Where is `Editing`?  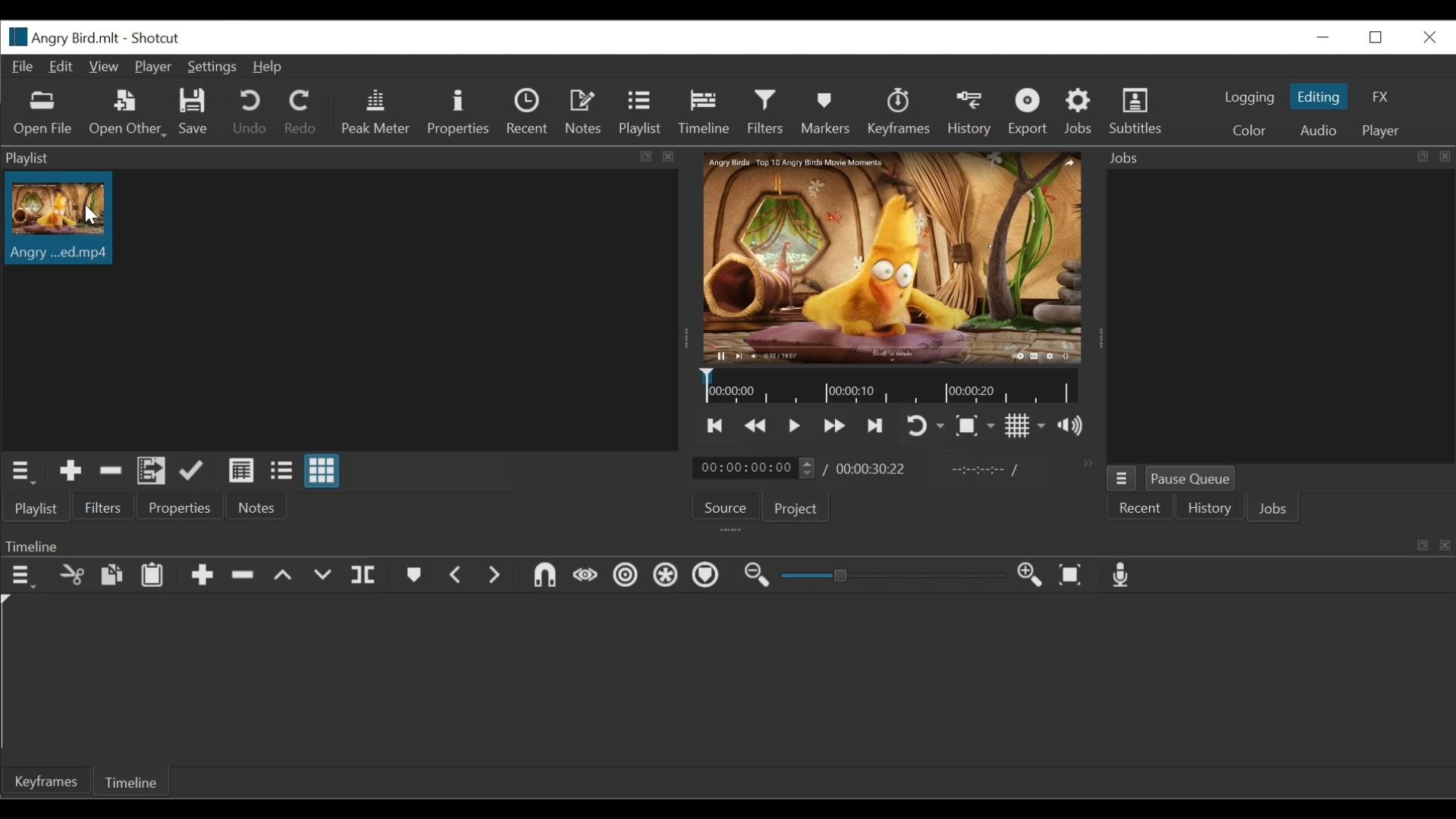 Editing is located at coordinates (1318, 96).